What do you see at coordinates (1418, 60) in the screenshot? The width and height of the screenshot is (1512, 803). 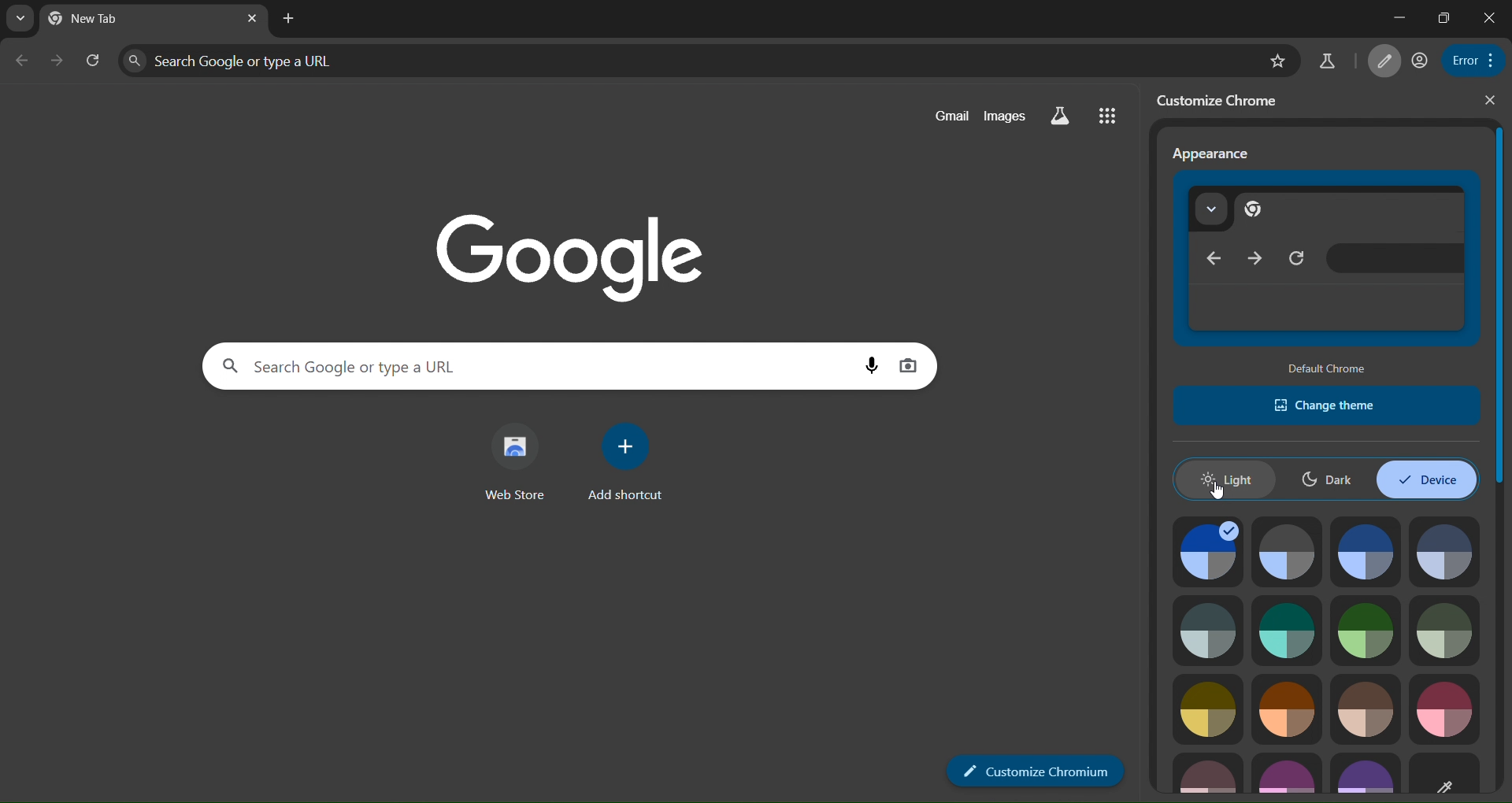 I see `account` at bounding box center [1418, 60].